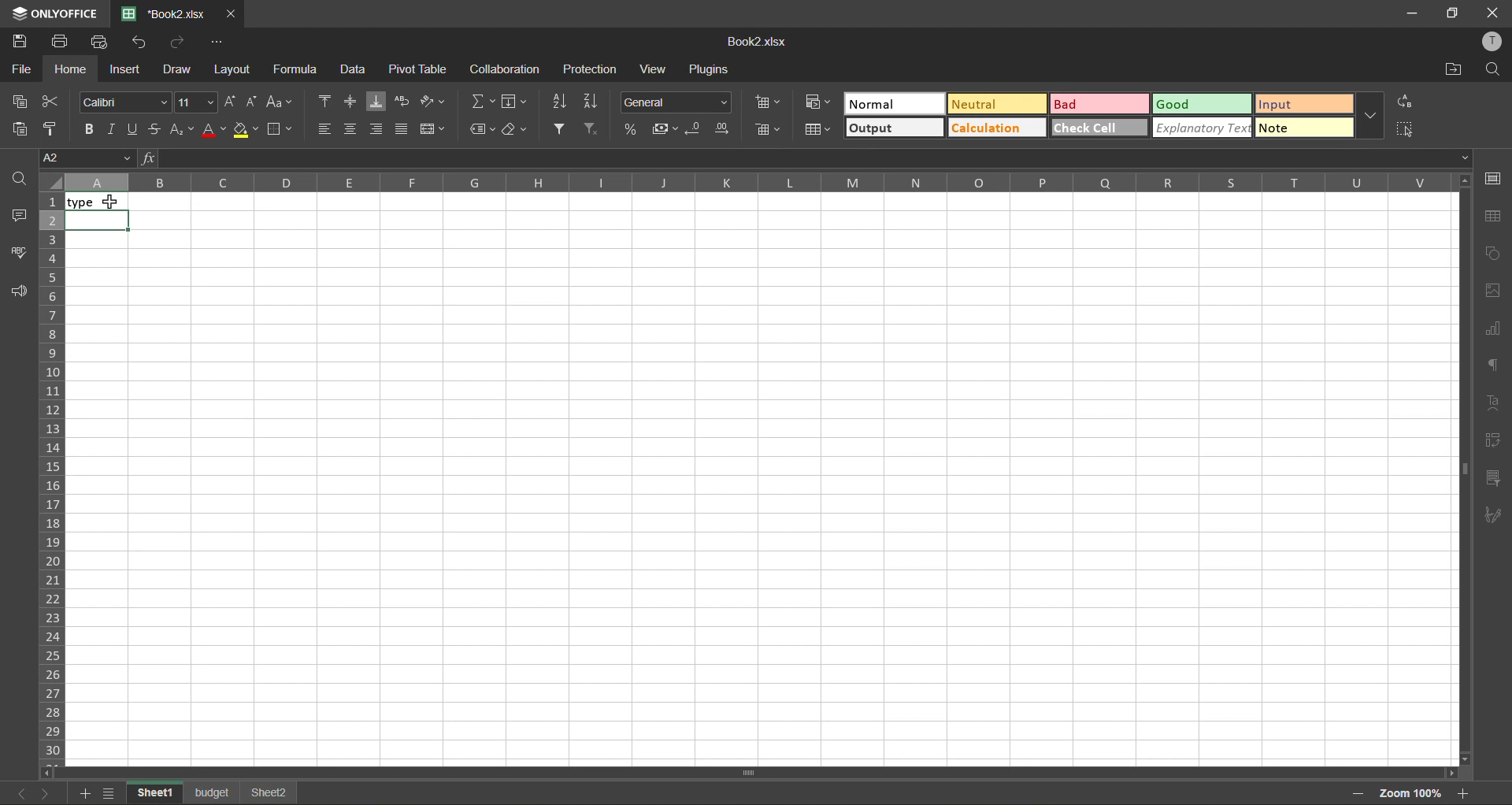 The width and height of the screenshot is (1512, 805). What do you see at coordinates (1201, 128) in the screenshot?
I see `explanatory text` at bounding box center [1201, 128].